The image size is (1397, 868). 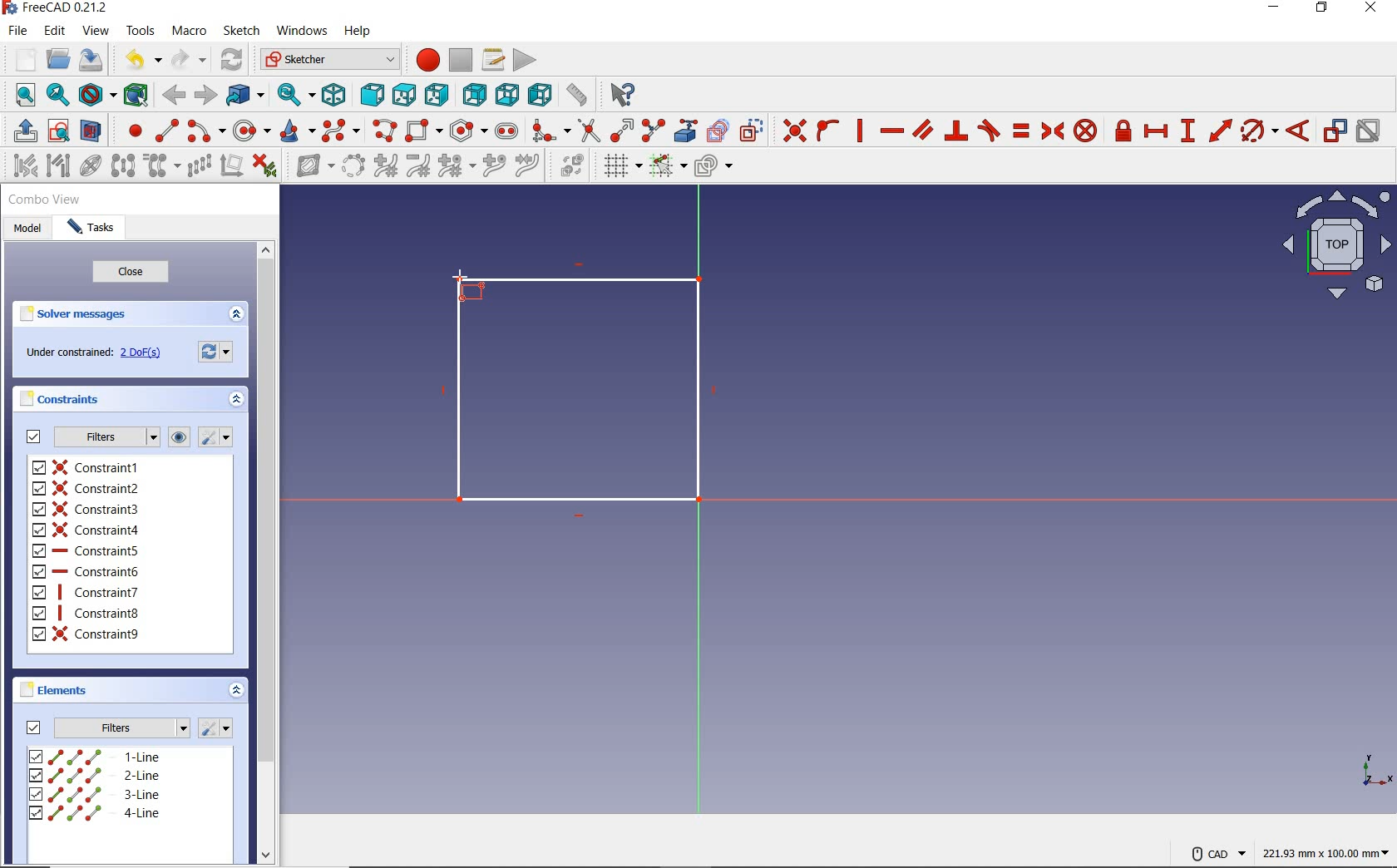 What do you see at coordinates (891, 131) in the screenshot?
I see `constrain horizontally` at bounding box center [891, 131].